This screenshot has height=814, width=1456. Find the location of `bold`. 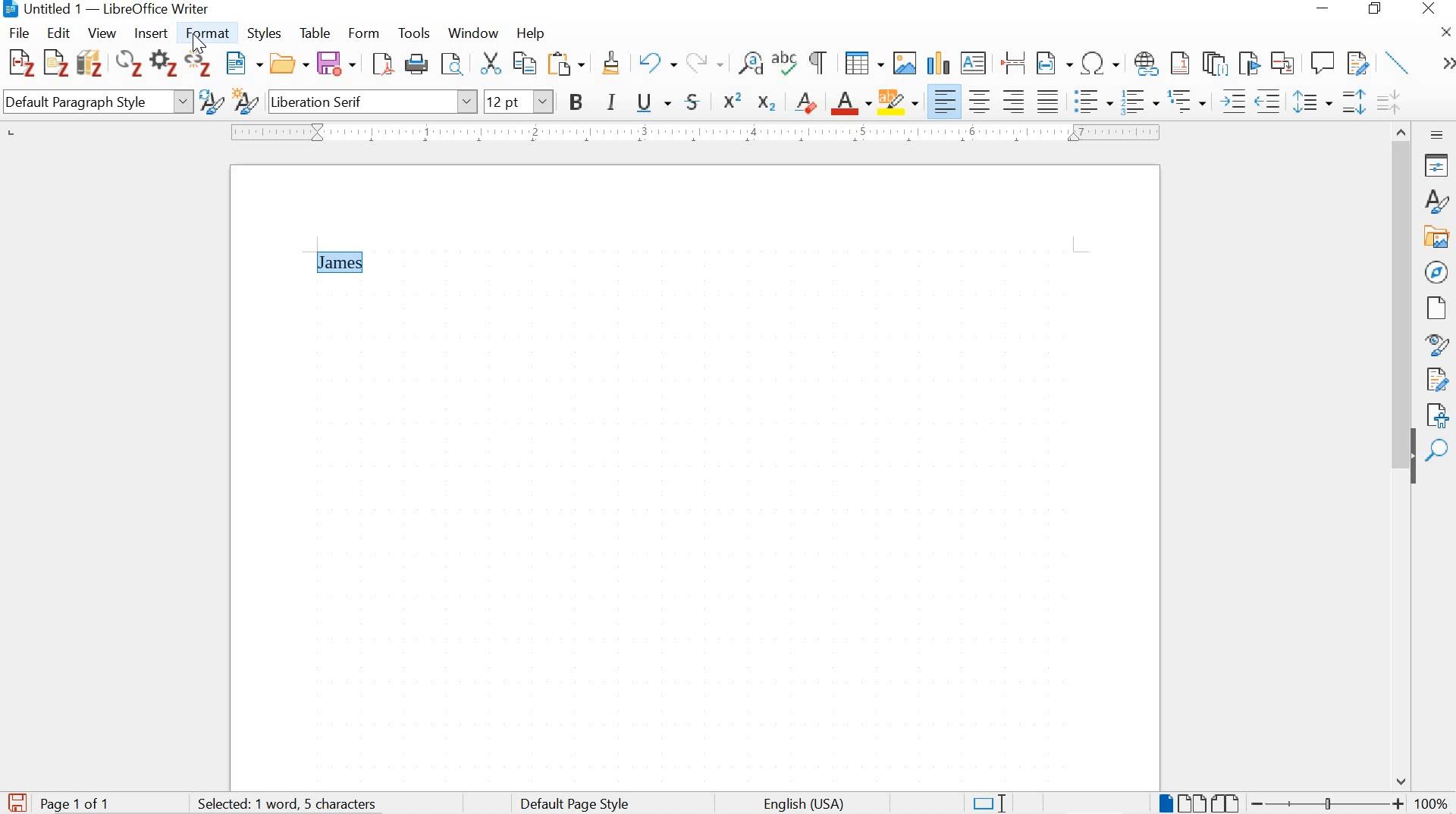

bold is located at coordinates (578, 104).